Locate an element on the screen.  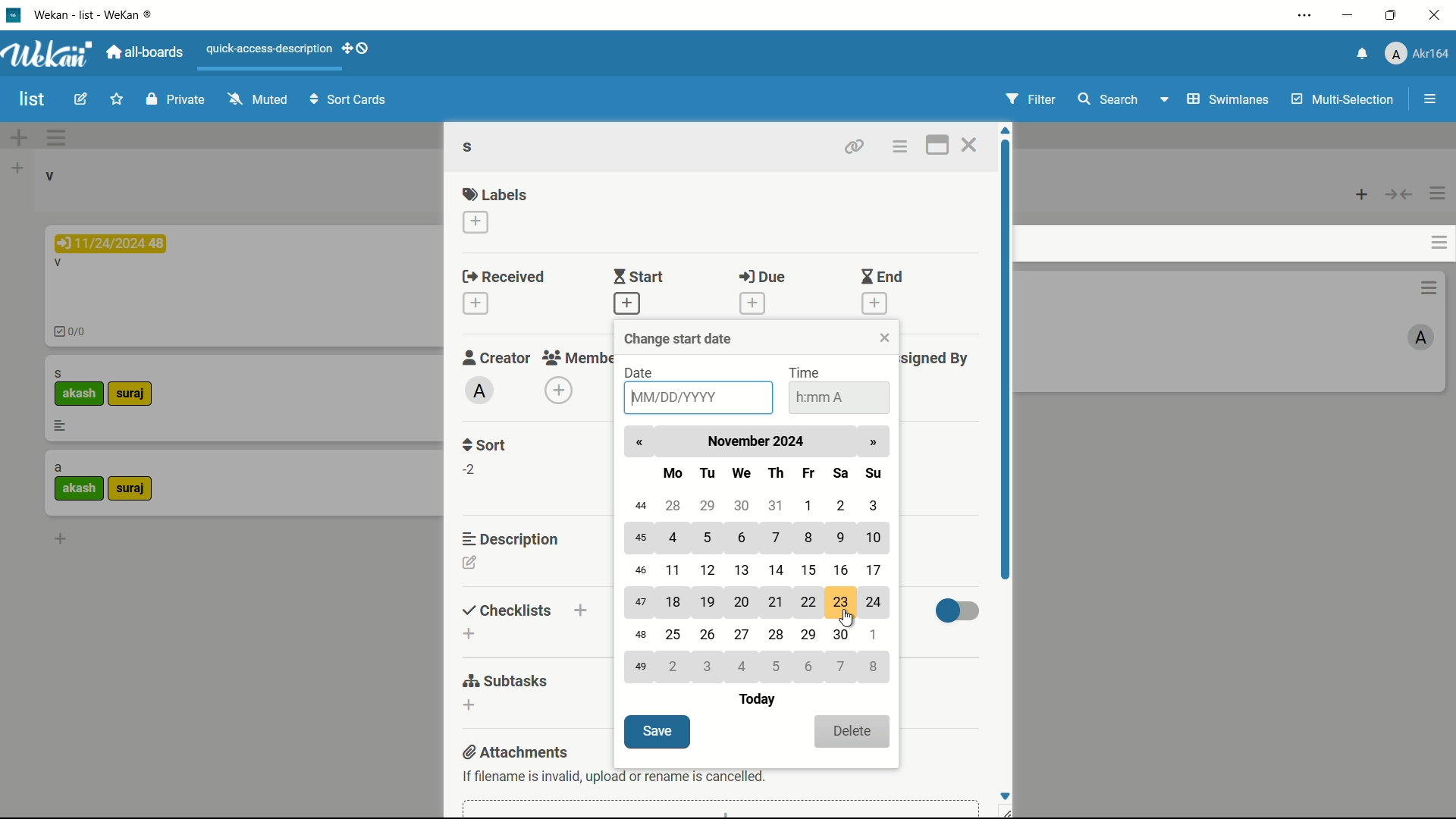
date format is located at coordinates (679, 398).